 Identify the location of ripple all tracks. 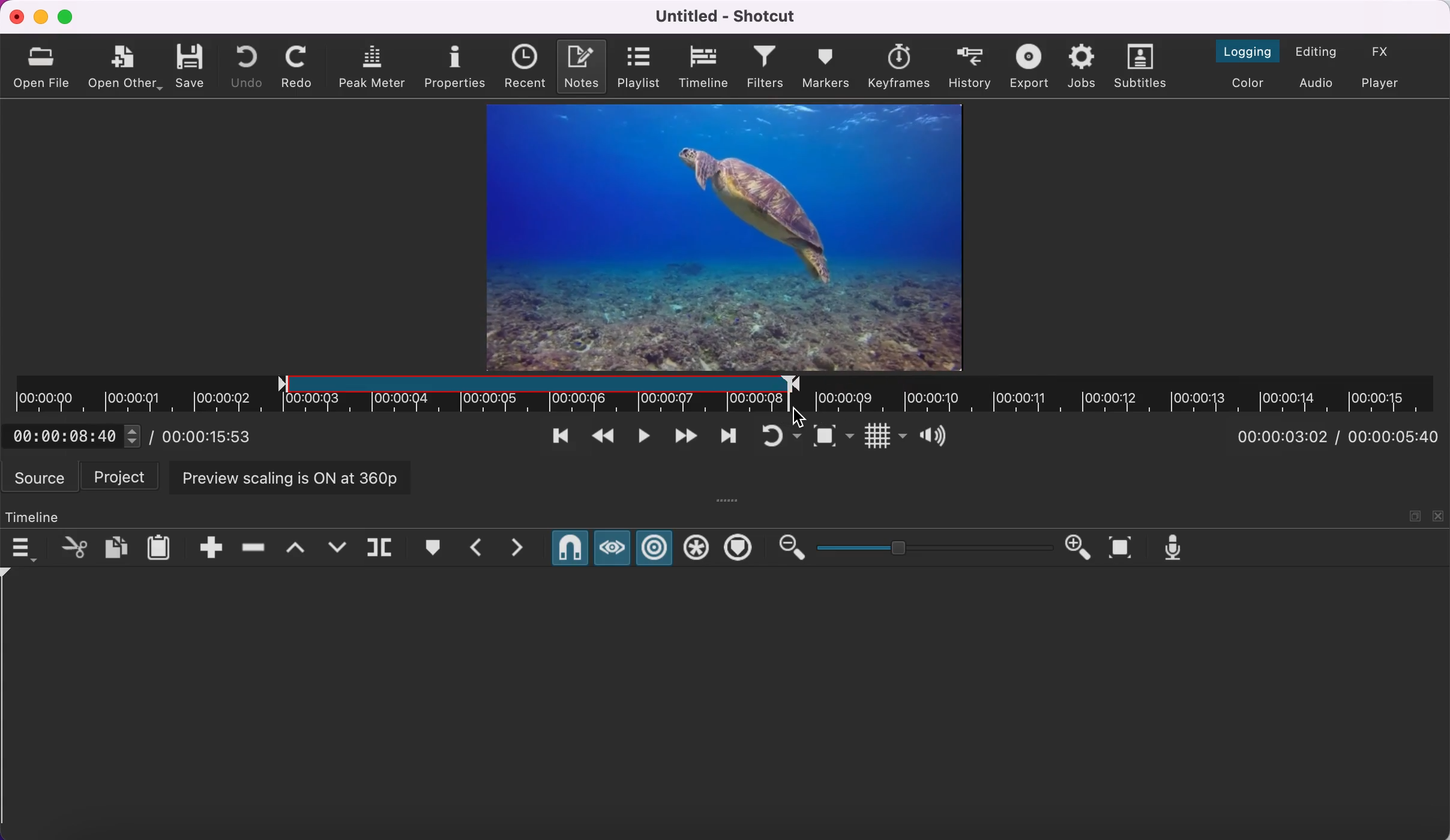
(696, 550).